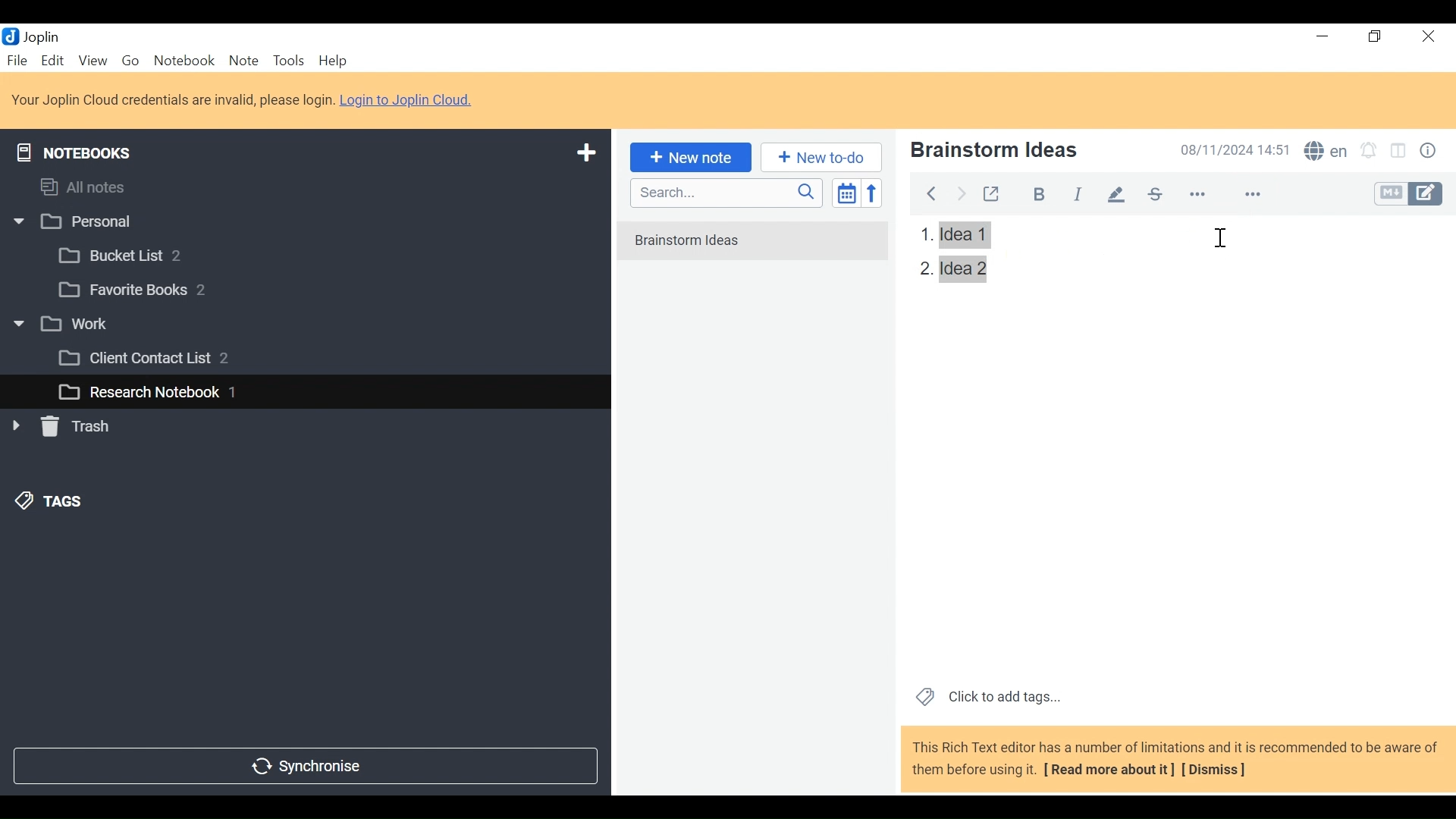  What do you see at coordinates (752, 242) in the screenshot?
I see `No notes in here. Create one by clicking
on "New note".` at bounding box center [752, 242].